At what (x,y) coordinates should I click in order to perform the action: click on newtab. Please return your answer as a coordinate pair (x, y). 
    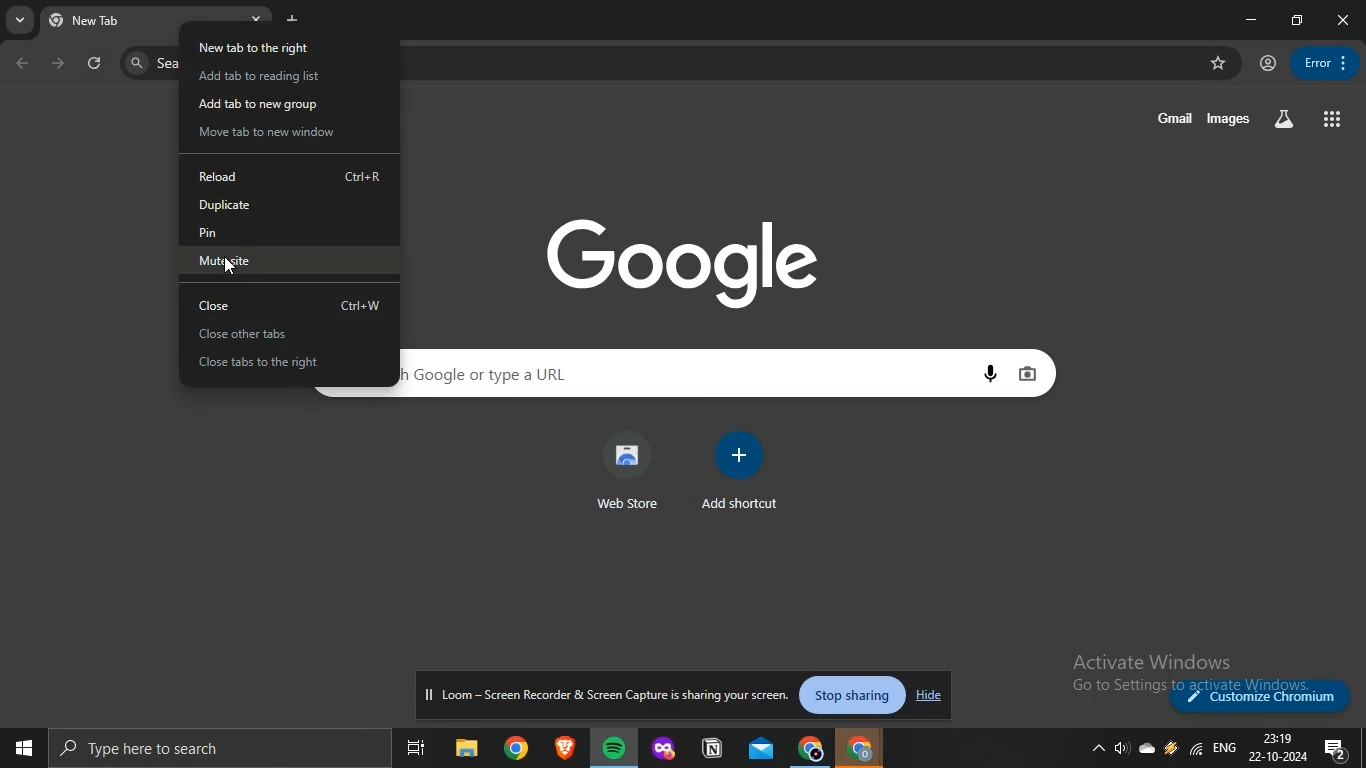
    Looking at the image, I should click on (293, 19).